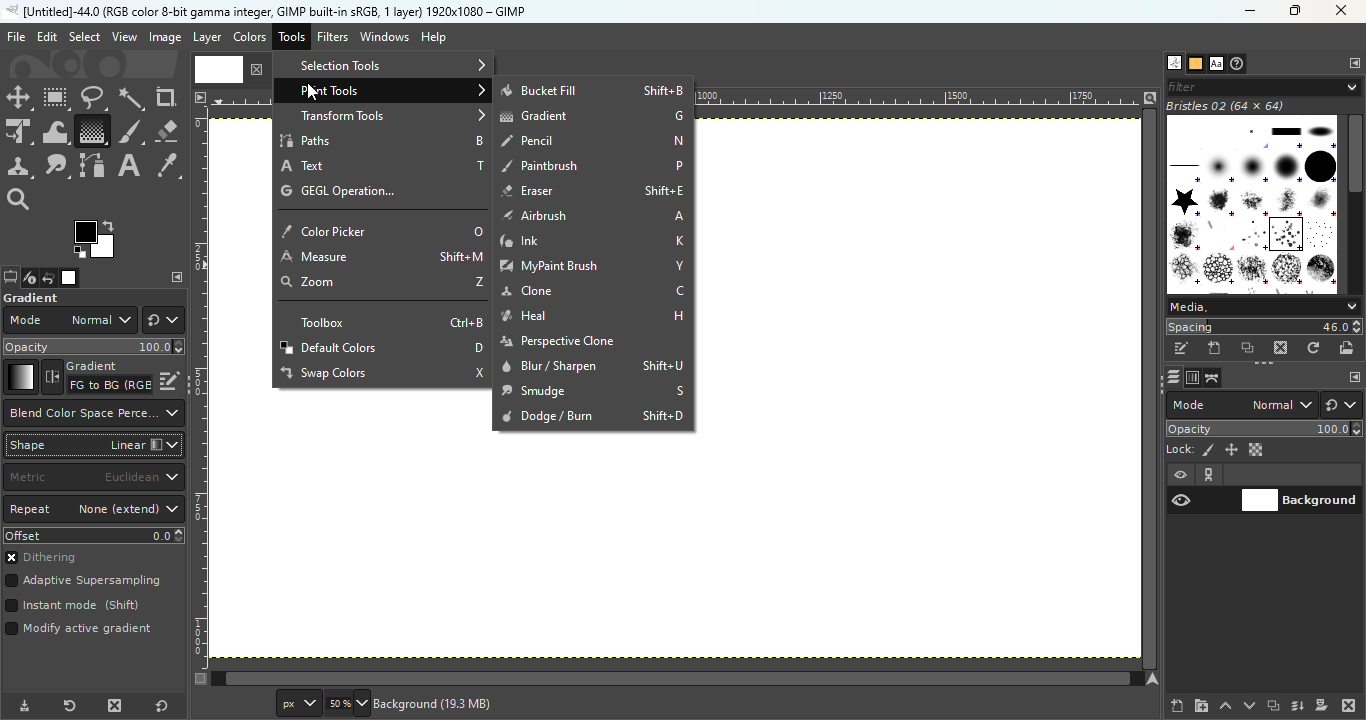 Image resolution: width=1366 pixels, height=720 pixels. What do you see at coordinates (595, 90) in the screenshot?
I see `Bucket Fill` at bounding box center [595, 90].